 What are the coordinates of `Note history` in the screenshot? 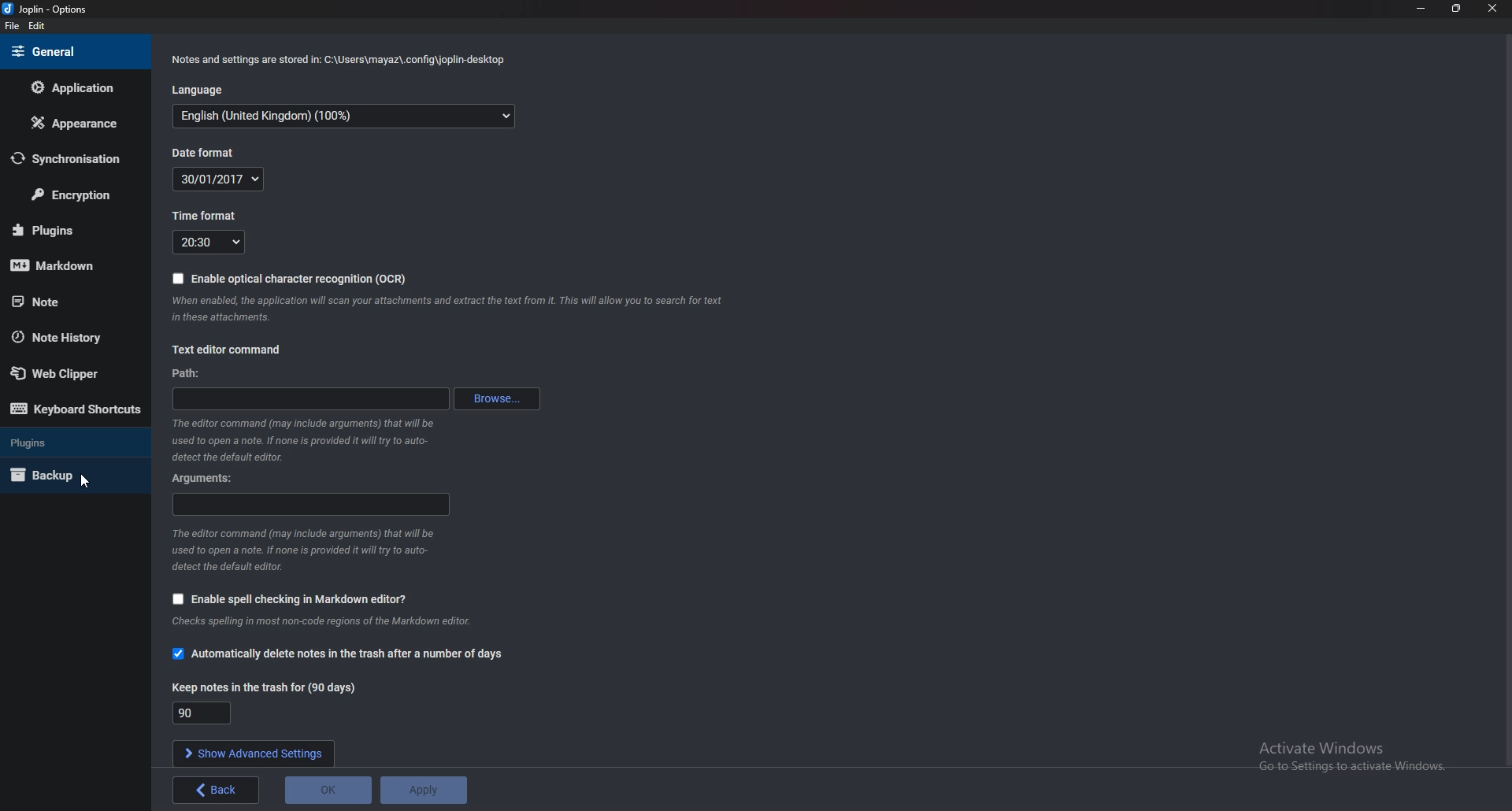 It's located at (68, 339).